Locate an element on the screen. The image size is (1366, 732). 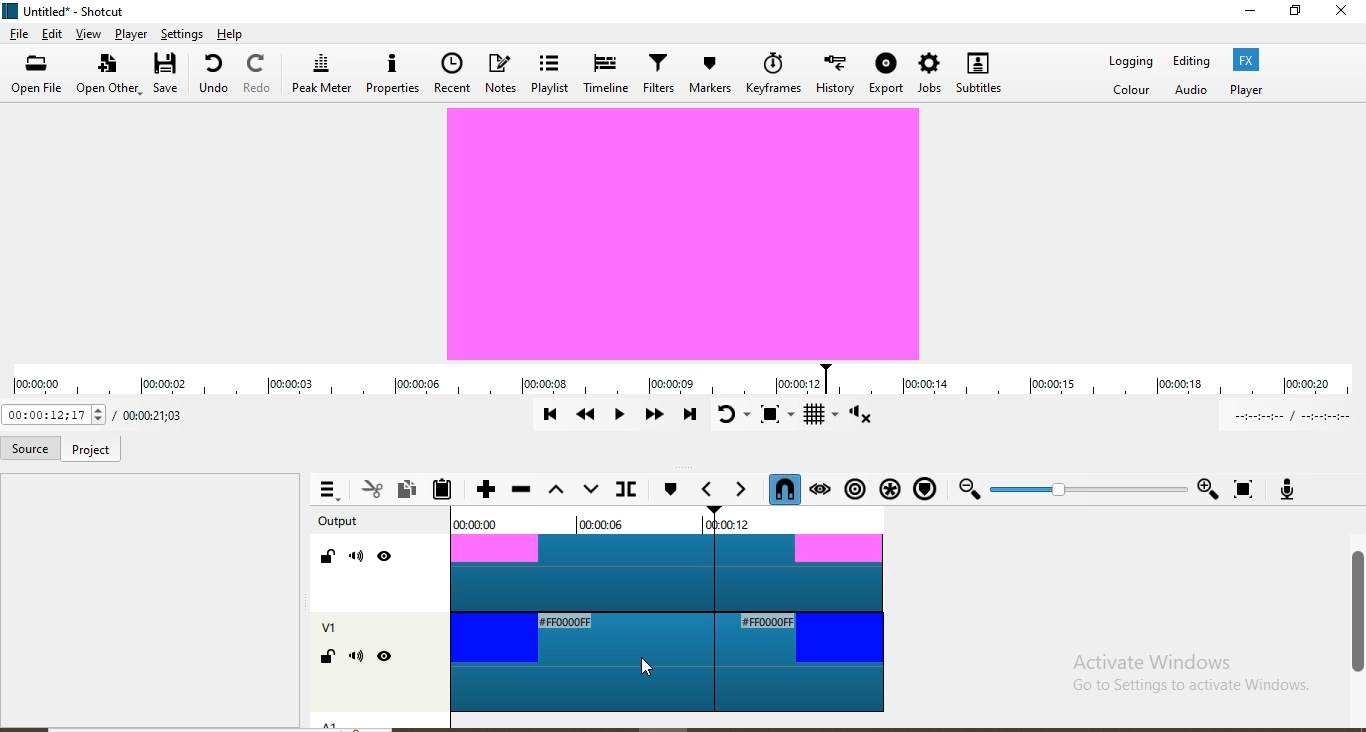
project is located at coordinates (91, 449).